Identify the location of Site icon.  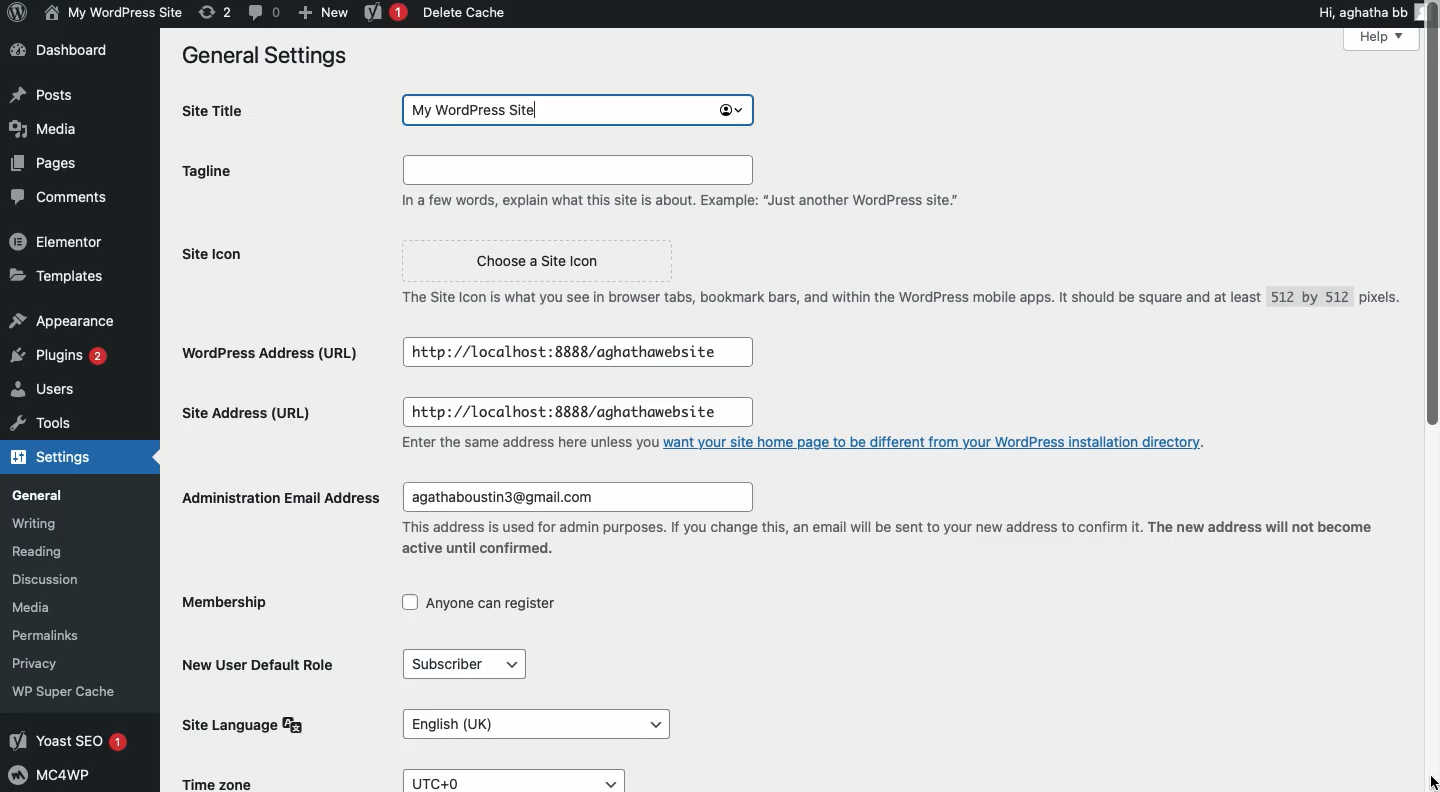
(231, 268).